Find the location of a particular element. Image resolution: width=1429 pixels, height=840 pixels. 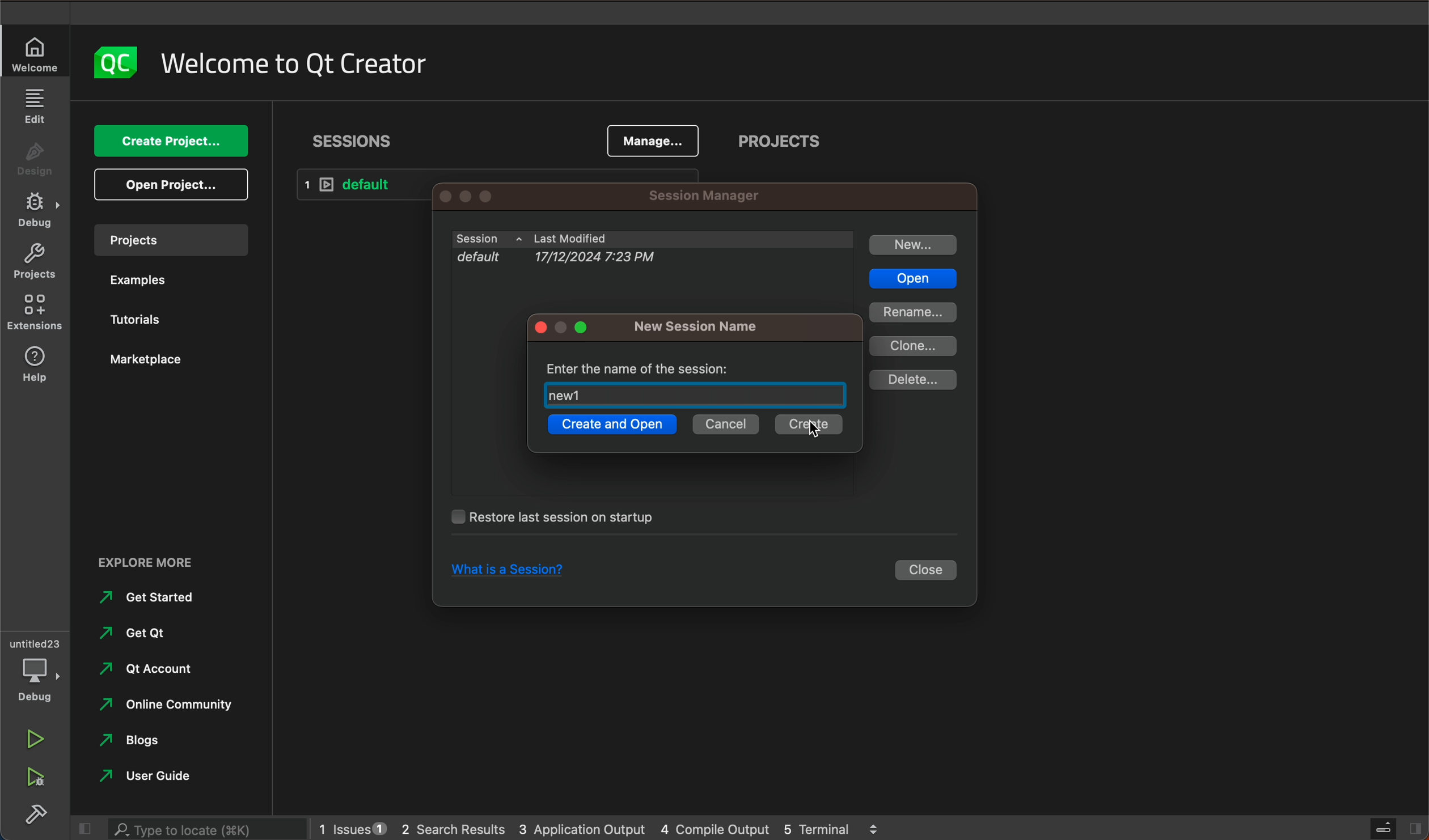

default is located at coordinates (365, 185).